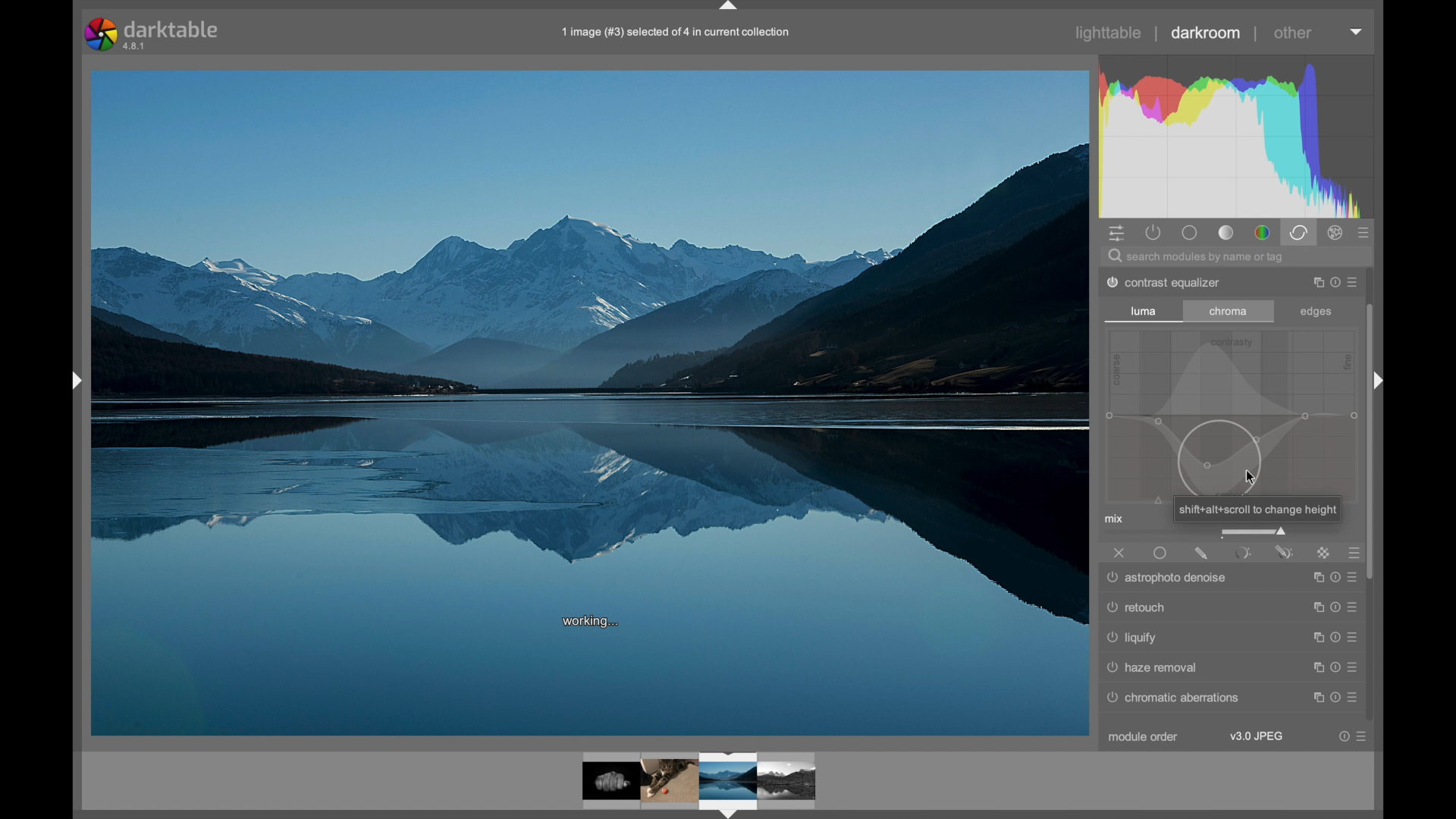  What do you see at coordinates (1230, 413) in the screenshot?
I see `slider` at bounding box center [1230, 413].